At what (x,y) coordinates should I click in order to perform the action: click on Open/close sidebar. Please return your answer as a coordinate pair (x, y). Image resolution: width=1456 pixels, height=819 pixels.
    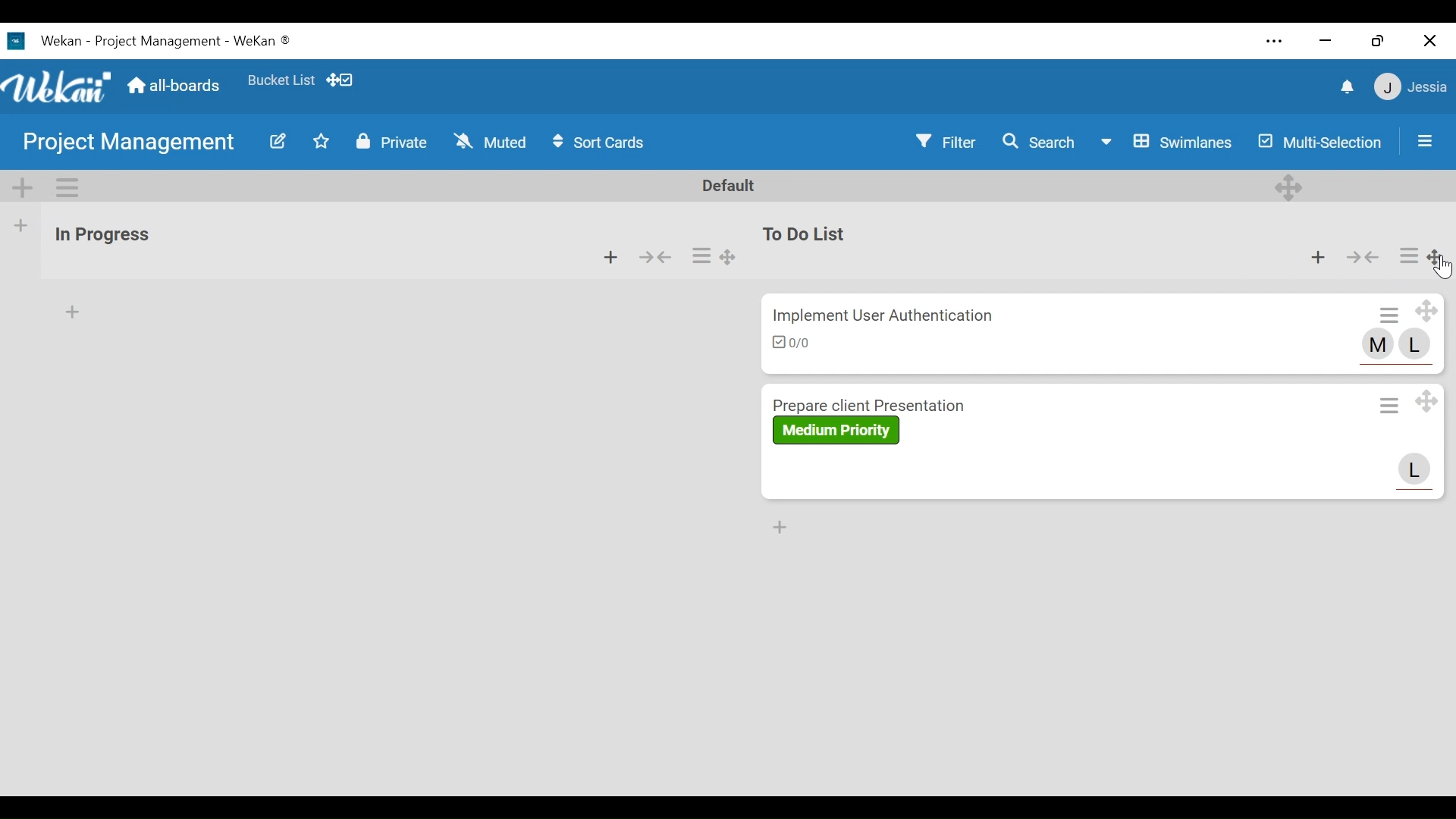
    Looking at the image, I should click on (1425, 141).